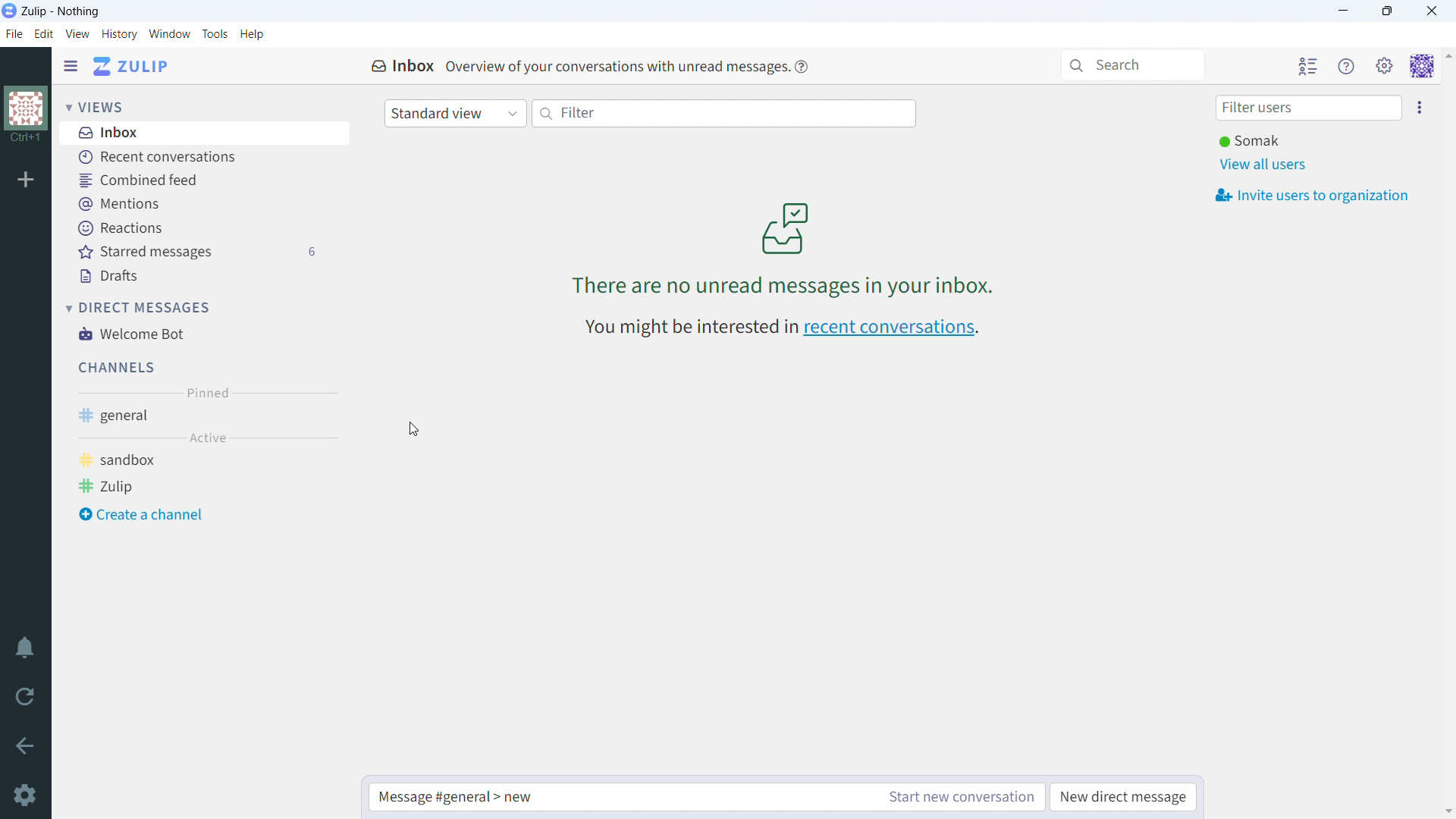 This screenshot has width=1456, height=819. I want to click on text, so click(614, 65).